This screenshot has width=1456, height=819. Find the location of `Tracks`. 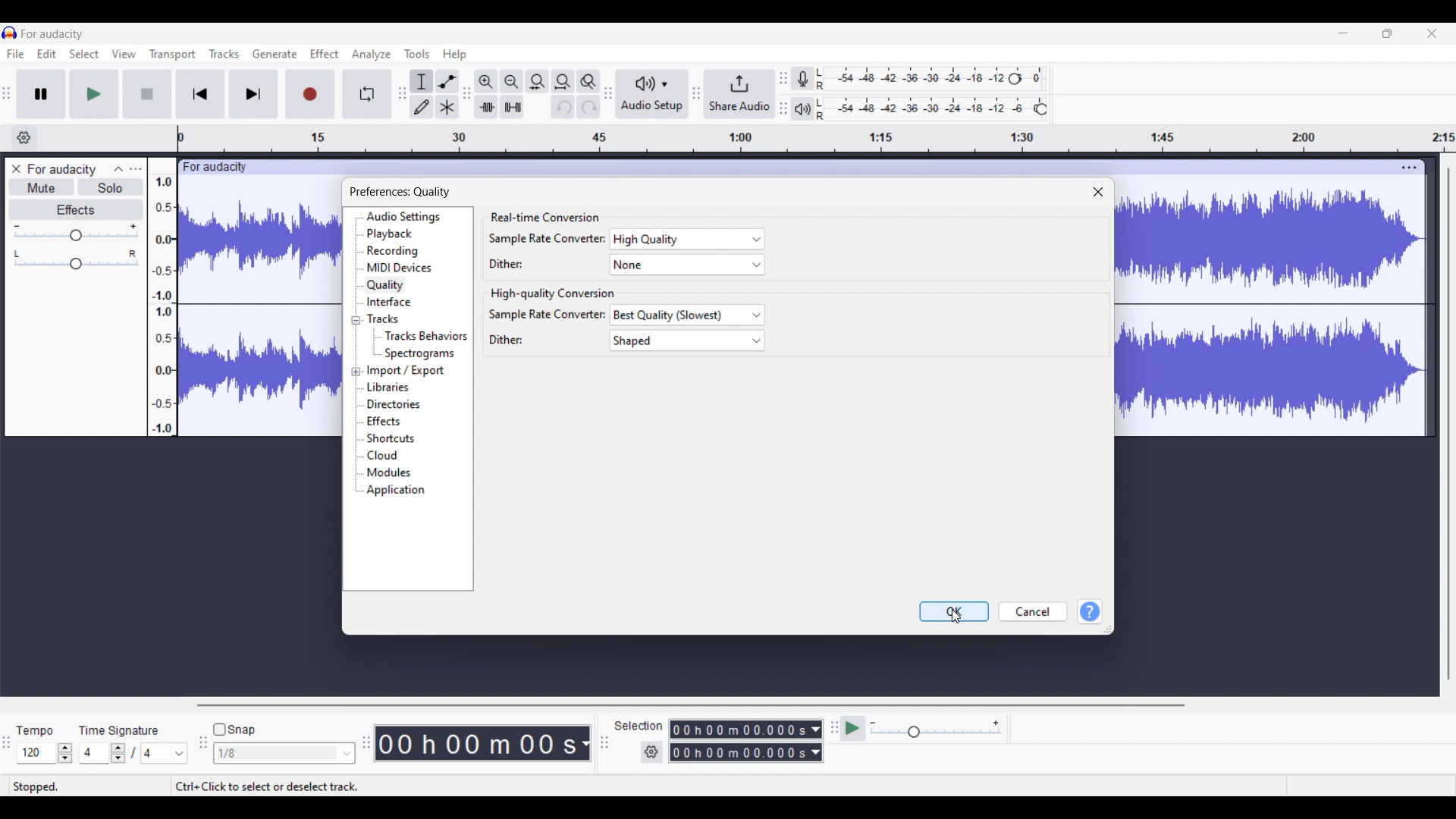

Tracks is located at coordinates (384, 318).